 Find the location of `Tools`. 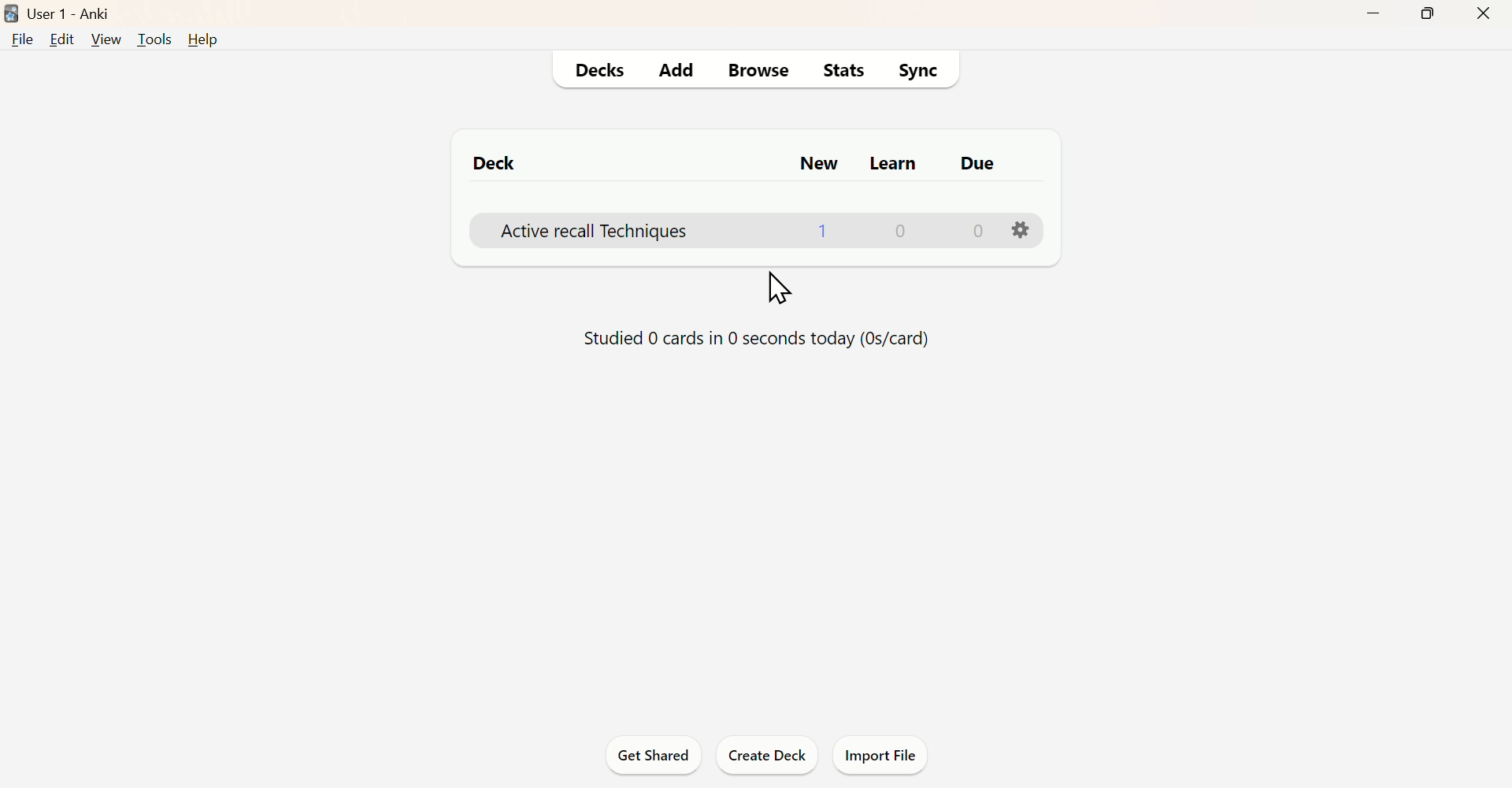

Tools is located at coordinates (150, 39).